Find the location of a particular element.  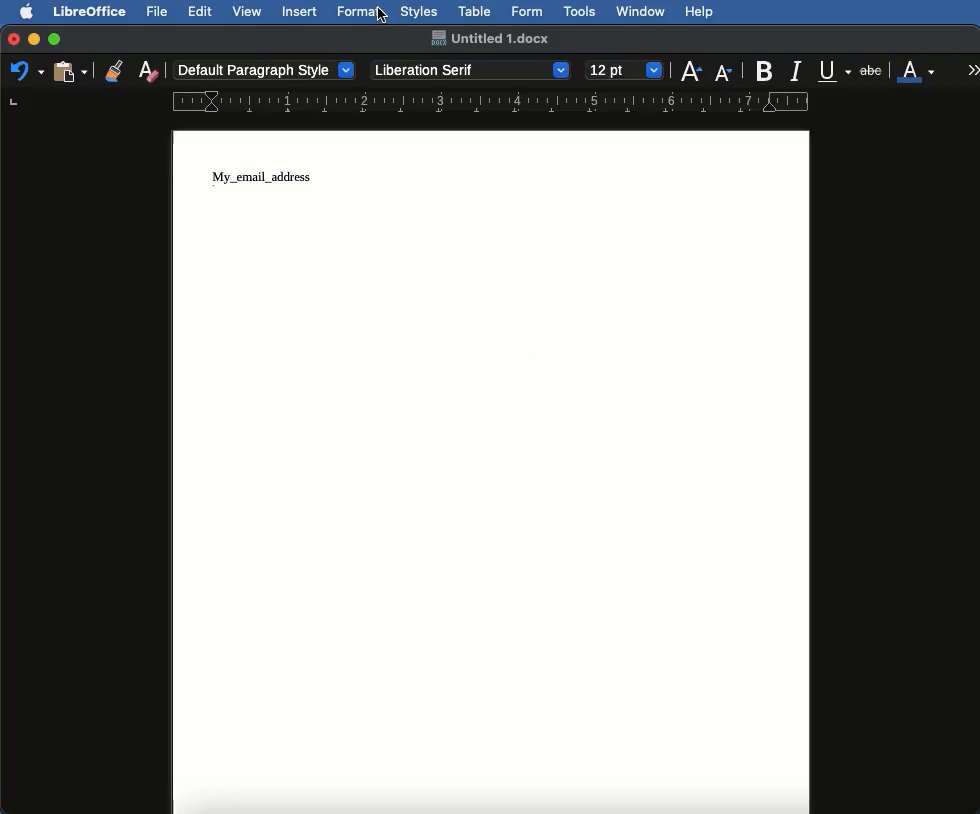

File is located at coordinates (159, 11).